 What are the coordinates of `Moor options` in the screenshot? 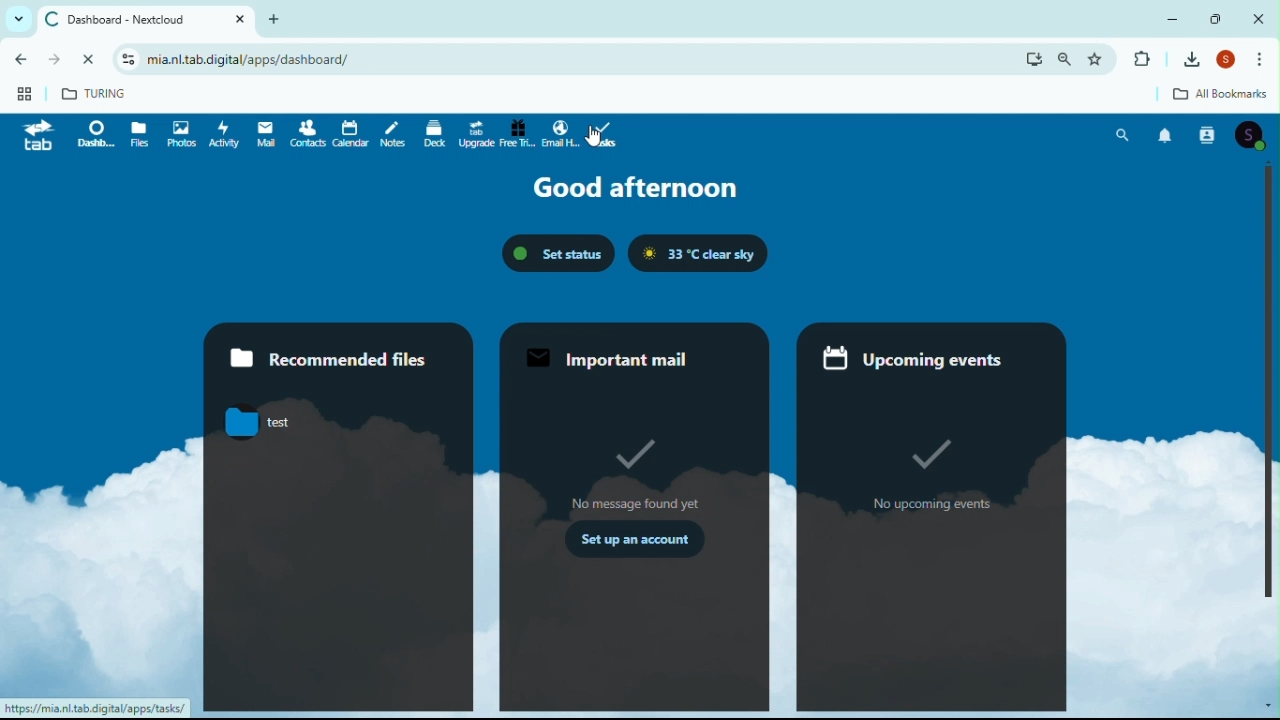 It's located at (1265, 60).